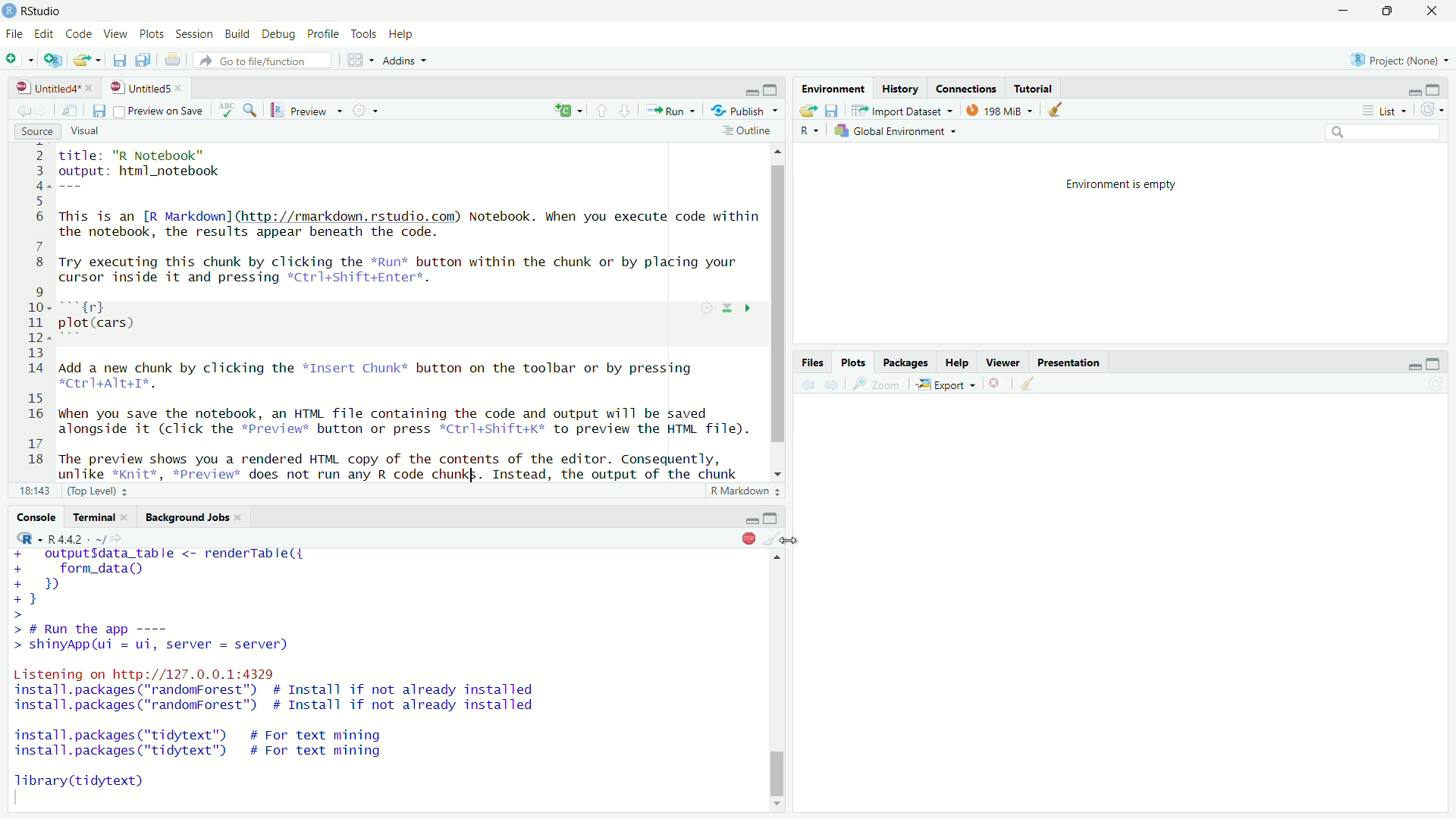  Describe the element at coordinates (773, 90) in the screenshot. I see `maximize` at that location.